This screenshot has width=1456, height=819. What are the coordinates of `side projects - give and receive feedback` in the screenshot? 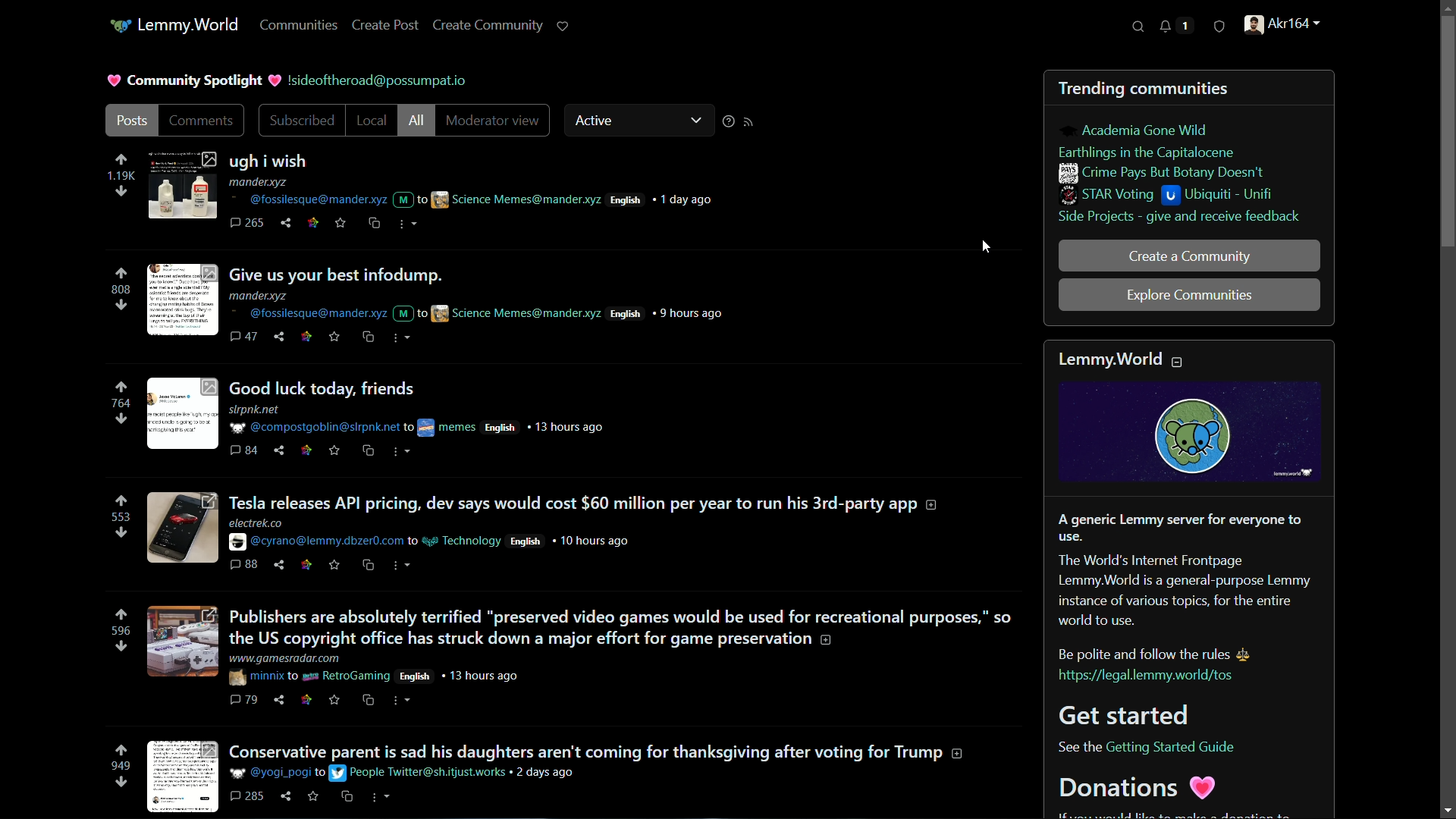 It's located at (1179, 218).